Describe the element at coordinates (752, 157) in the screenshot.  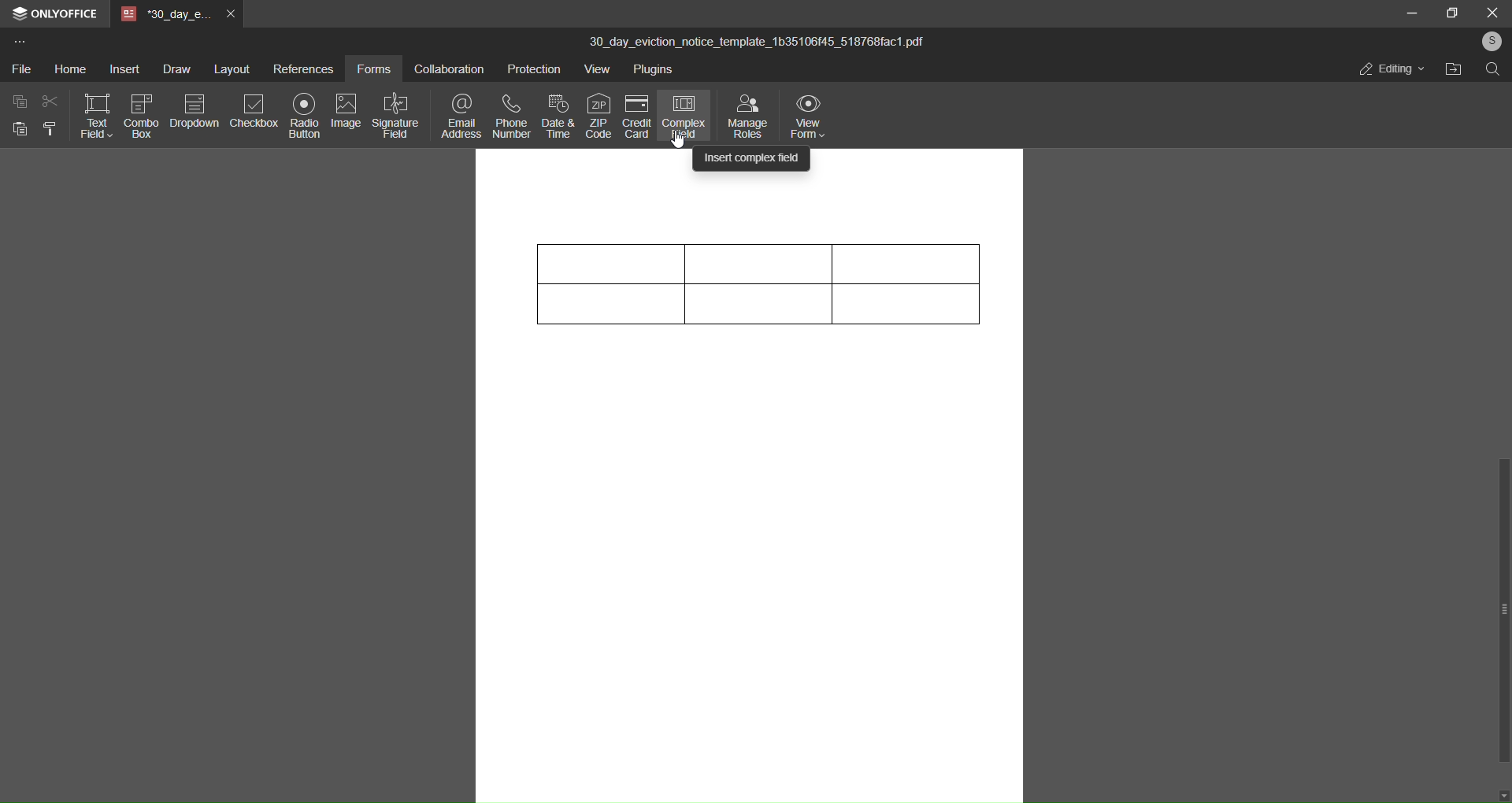
I see `insert complex field` at that location.